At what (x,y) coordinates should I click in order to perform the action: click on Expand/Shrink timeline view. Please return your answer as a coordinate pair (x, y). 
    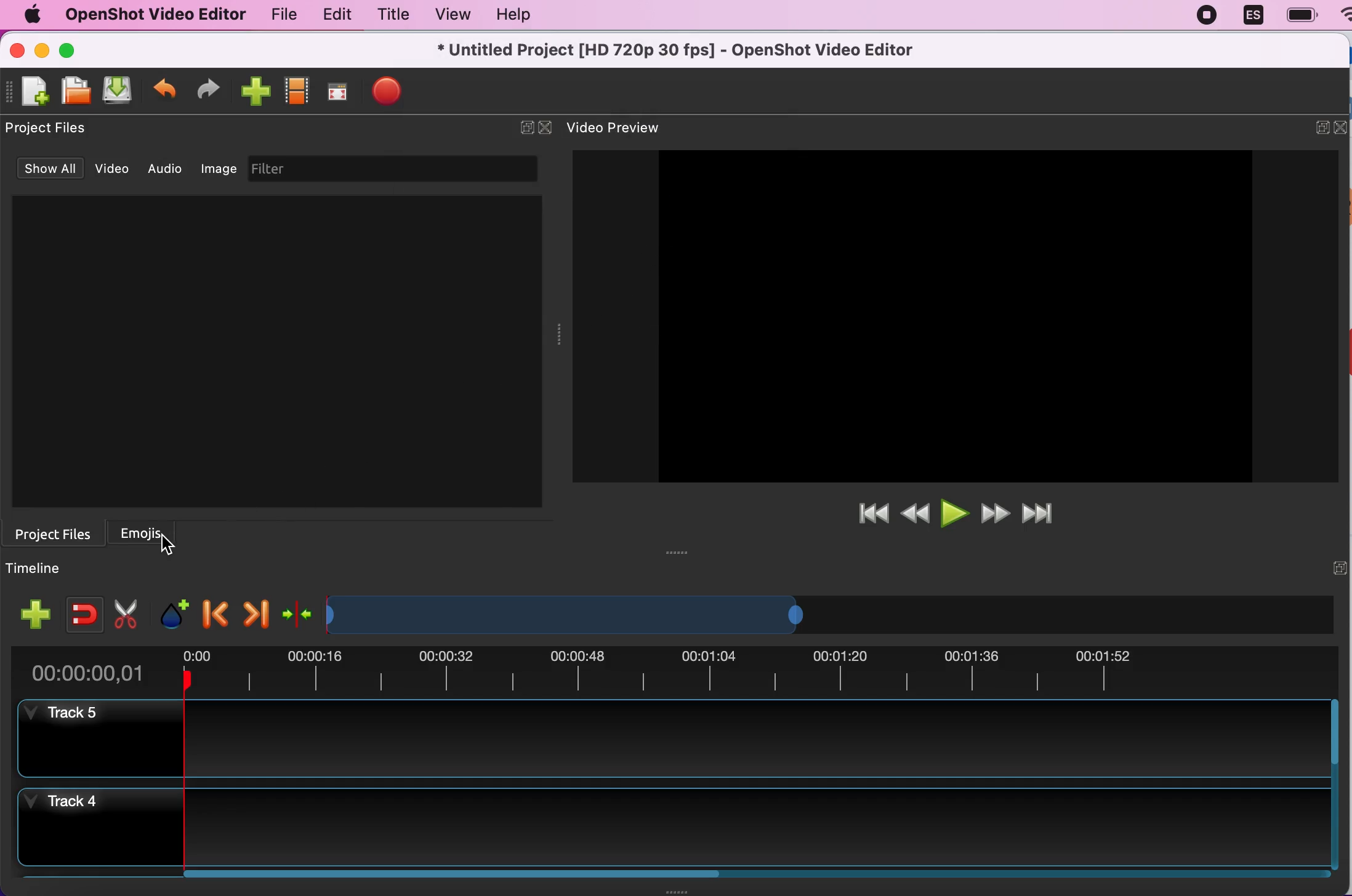
    Looking at the image, I should click on (569, 615).